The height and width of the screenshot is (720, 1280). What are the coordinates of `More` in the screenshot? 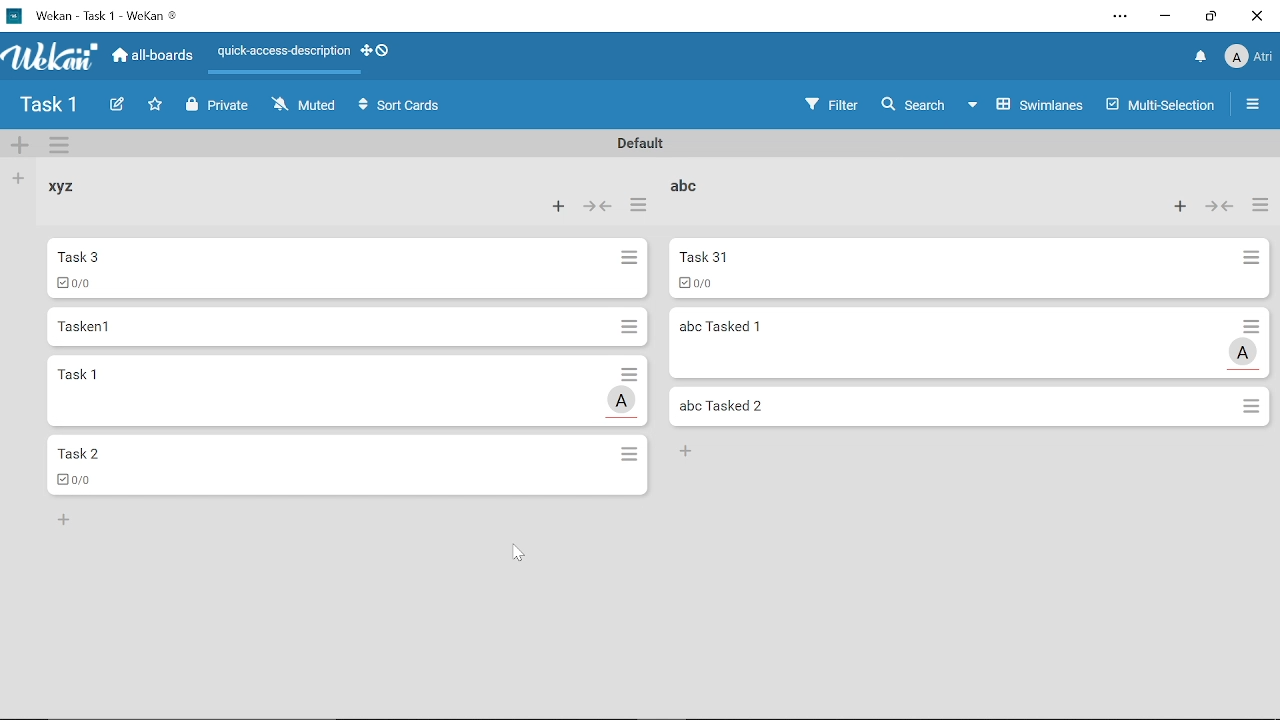 It's located at (62, 146).